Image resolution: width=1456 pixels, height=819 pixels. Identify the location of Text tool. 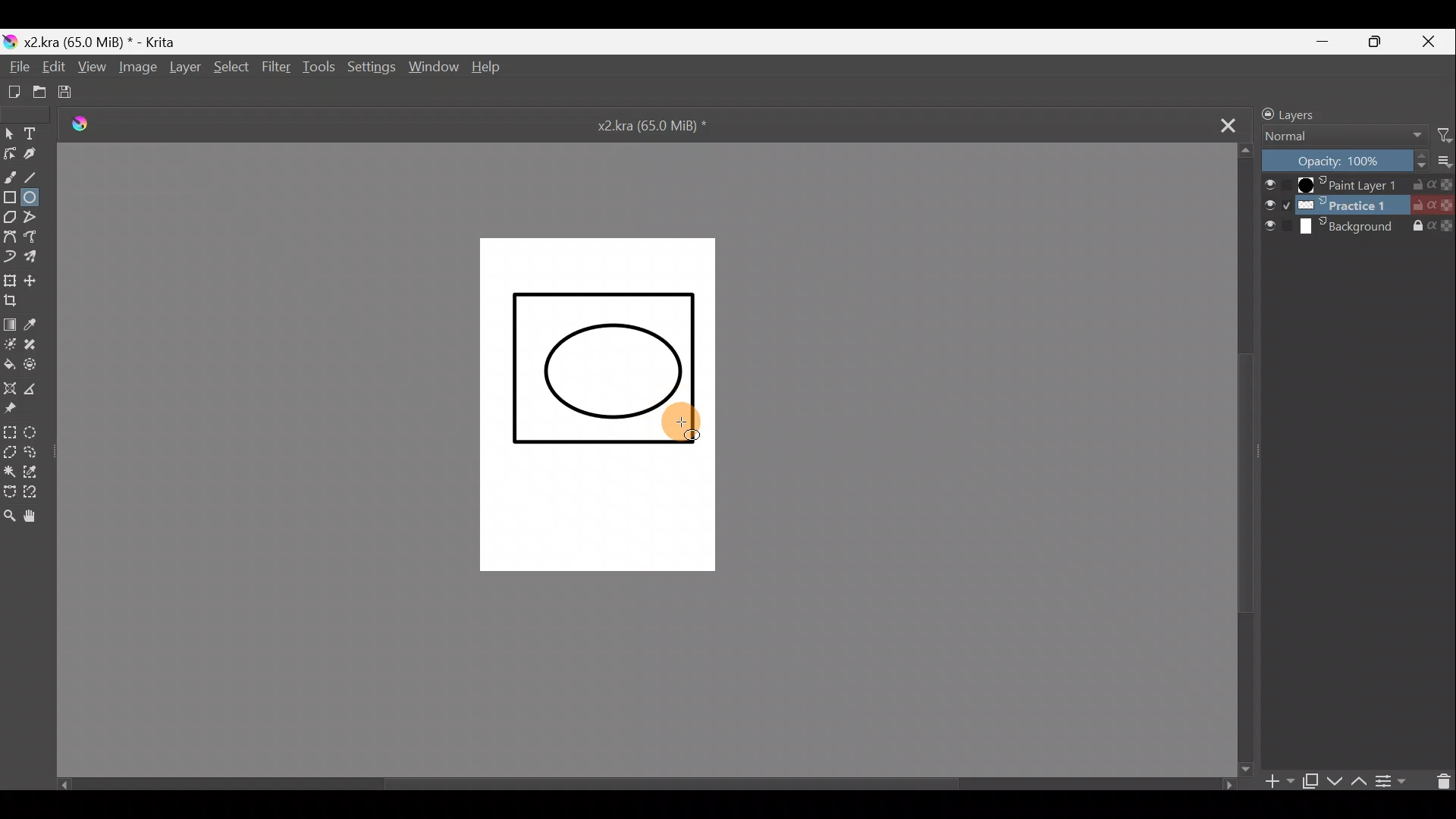
(33, 133).